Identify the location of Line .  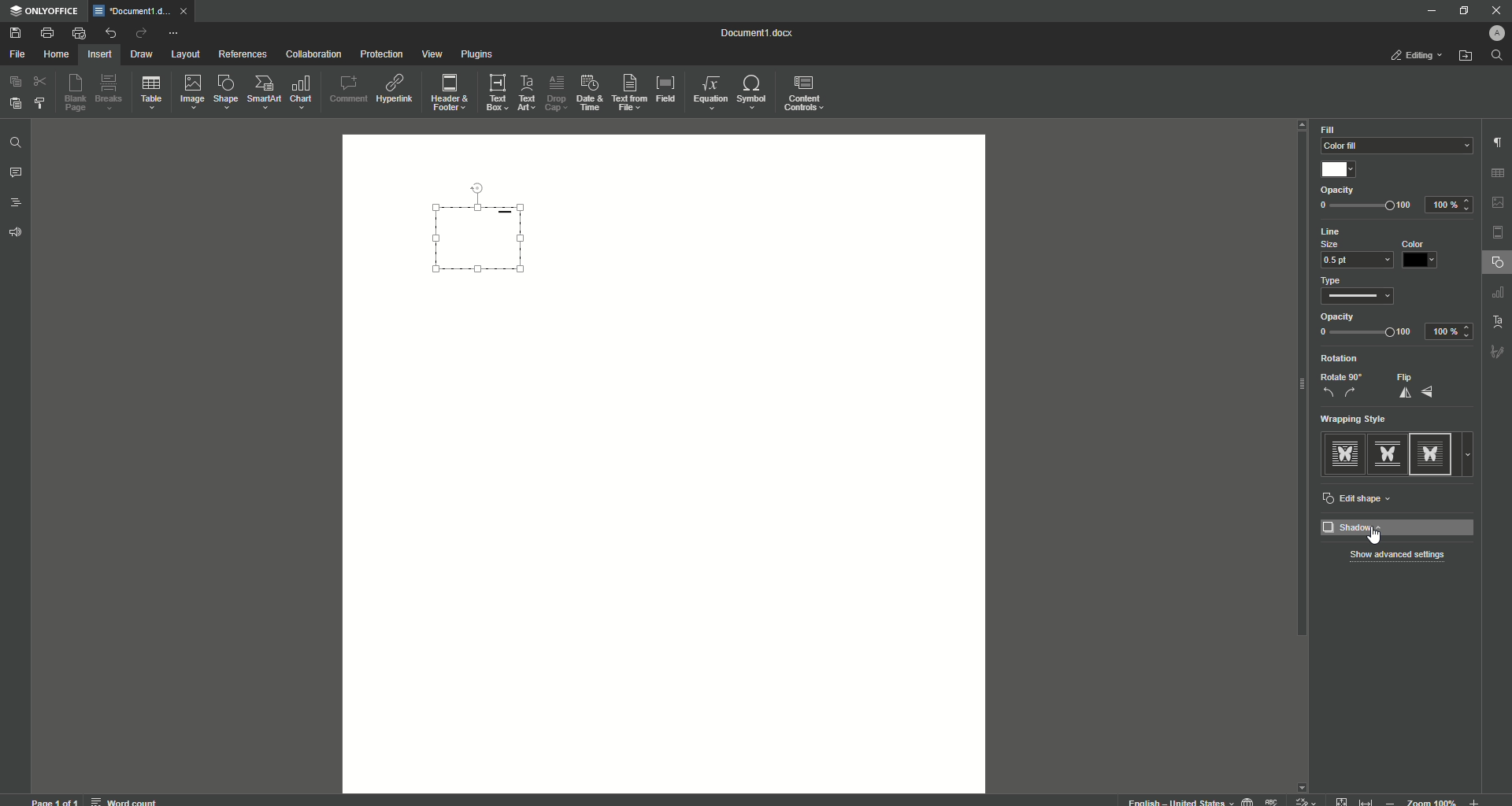
(1340, 232).